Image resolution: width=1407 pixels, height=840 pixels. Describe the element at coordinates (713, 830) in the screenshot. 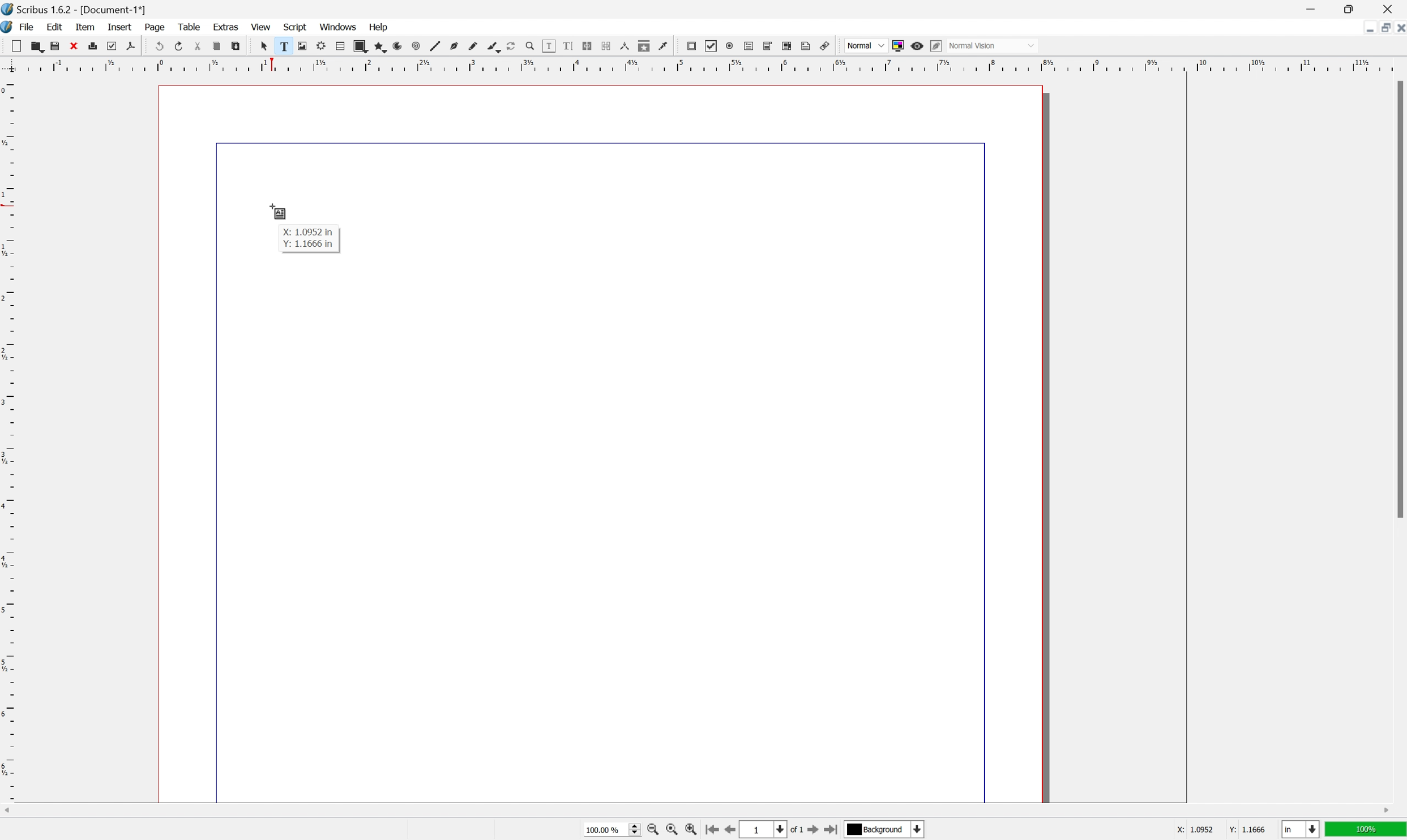

I see `go to first page` at that location.